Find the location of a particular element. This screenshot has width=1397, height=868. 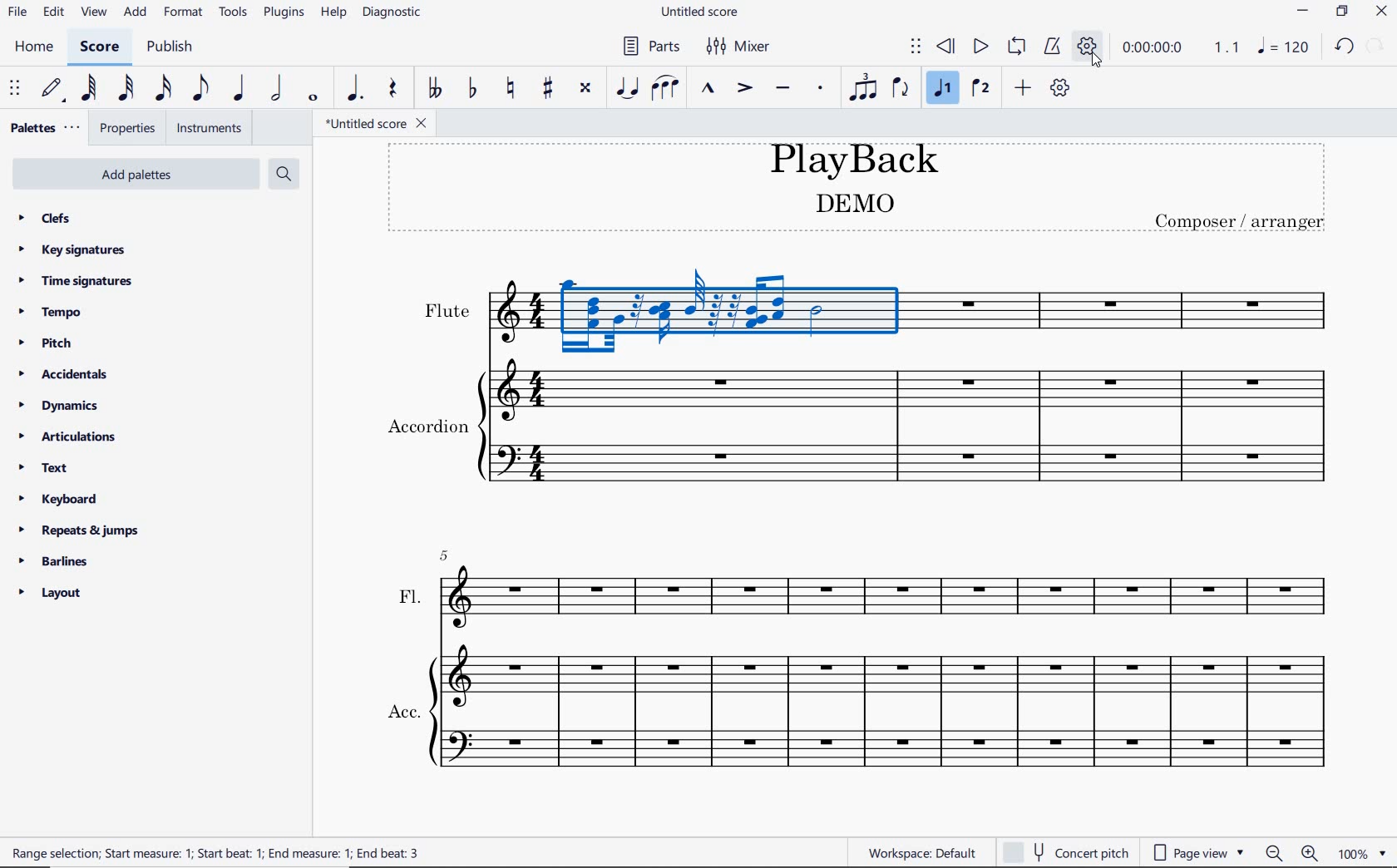

pitch is located at coordinates (46, 342).